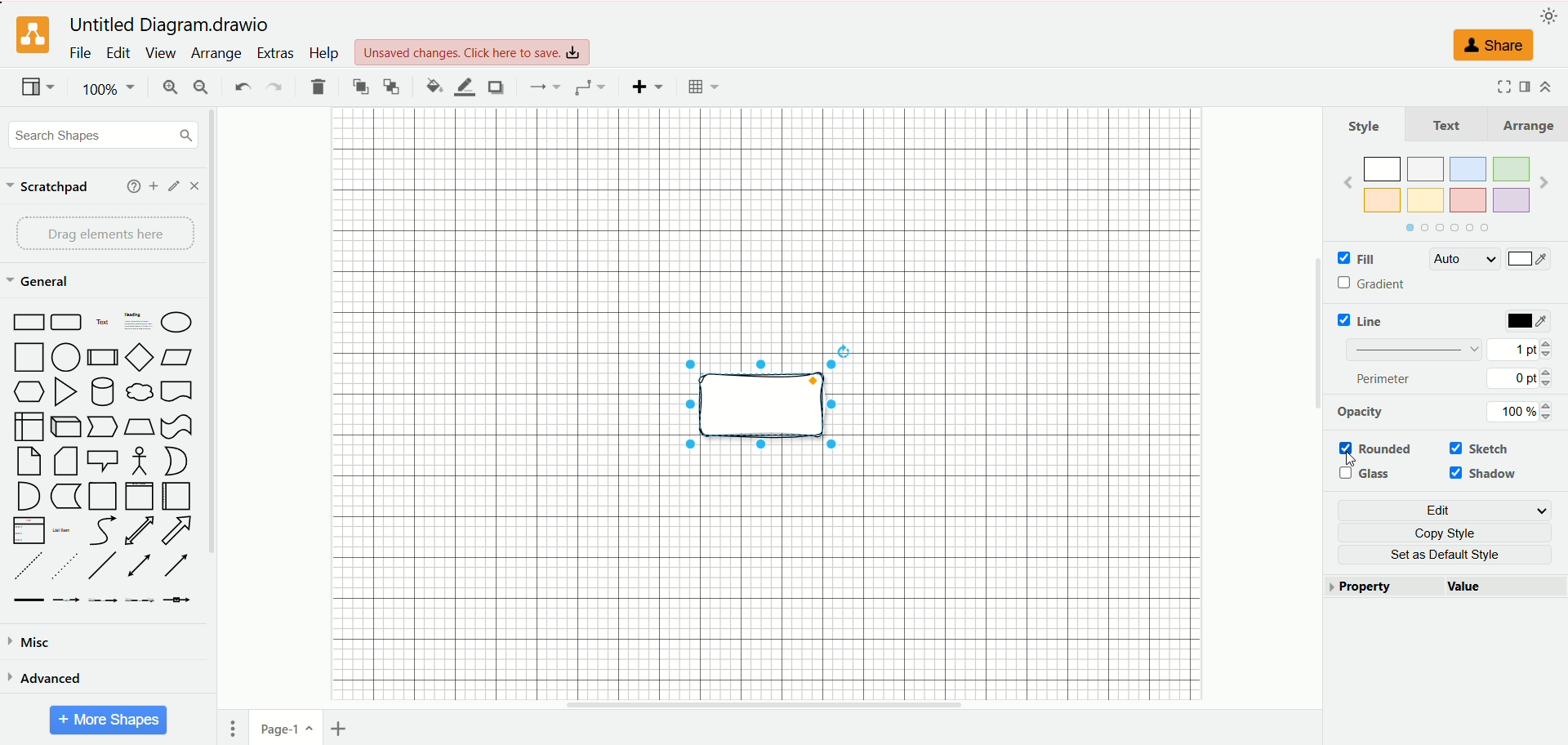 This screenshot has width=1568, height=745. What do you see at coordinates (154, 186) in the screenshot?
I see `add` at bounding box center [154, 186].